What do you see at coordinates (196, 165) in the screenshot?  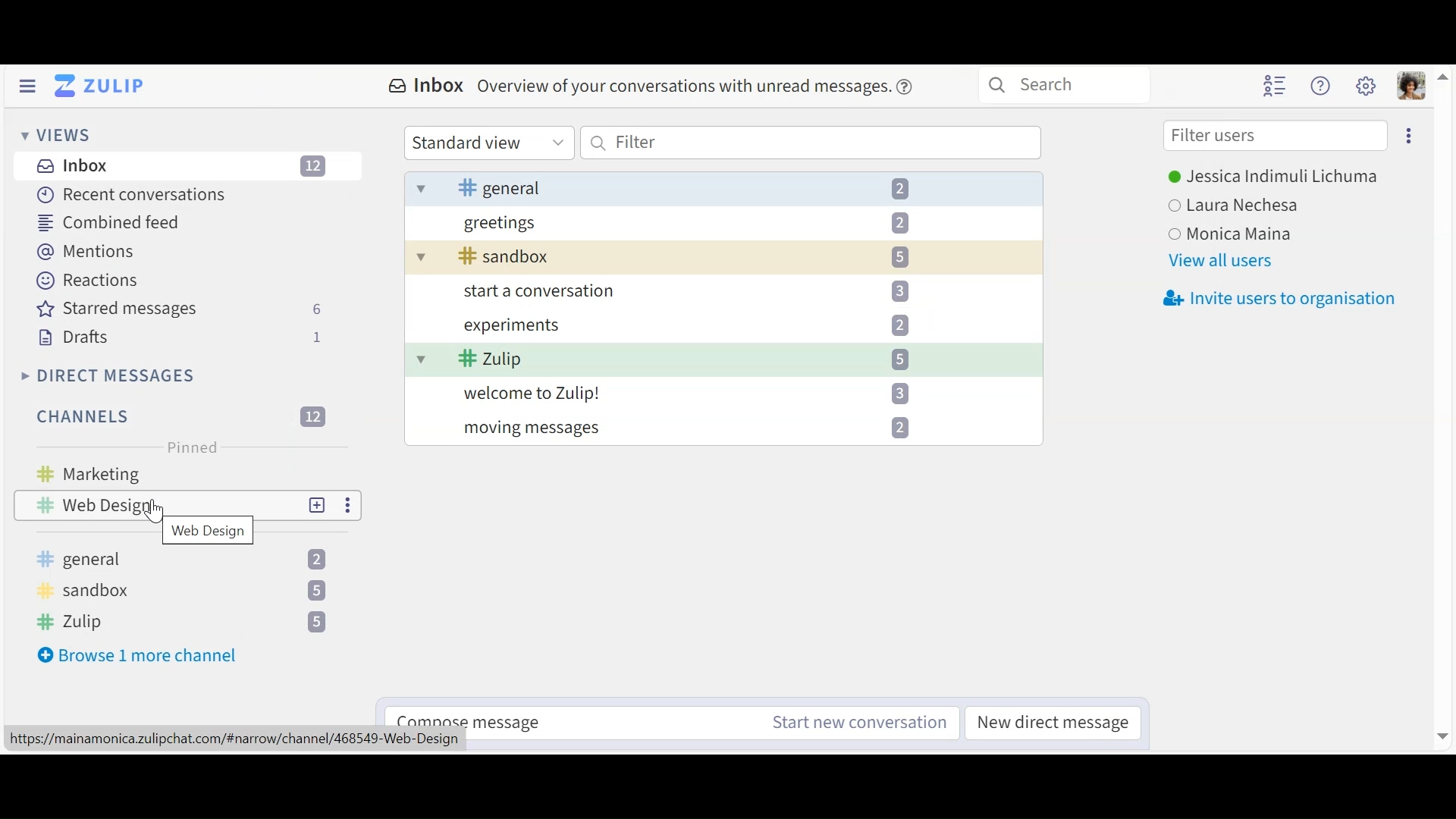 I see `Inbox` at bounding box center [196, 165].